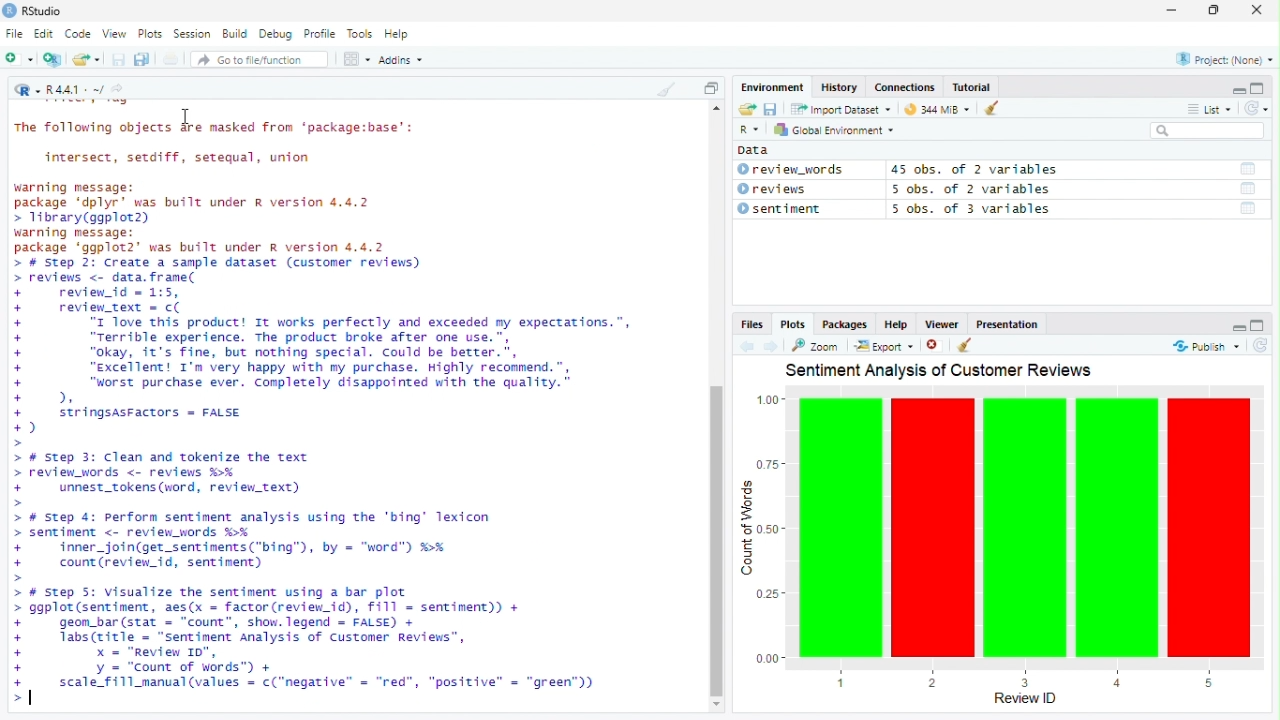  I want to click on Go, so click(121, 91).